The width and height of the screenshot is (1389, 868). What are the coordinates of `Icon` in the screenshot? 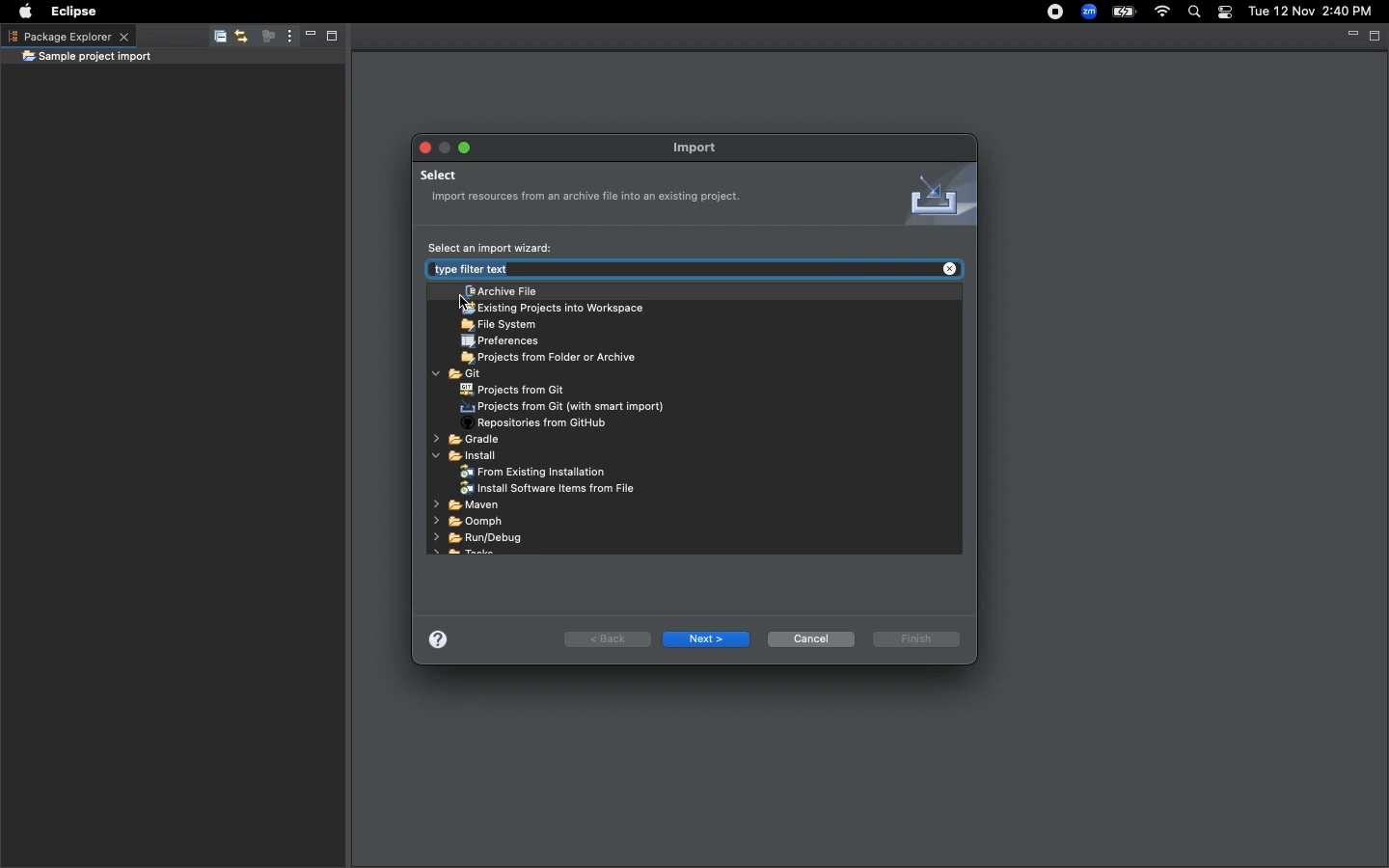 It's located at (934, 195).